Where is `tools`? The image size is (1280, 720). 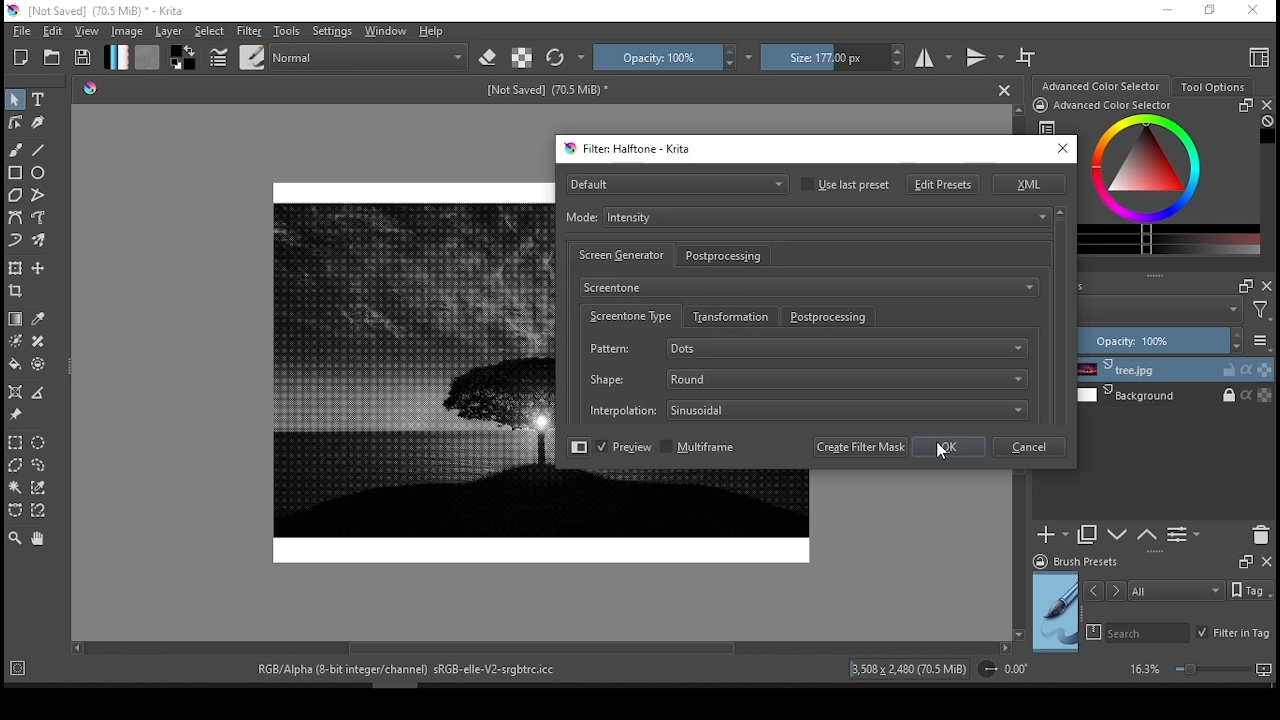 tools is located at coordinates (286, 31).